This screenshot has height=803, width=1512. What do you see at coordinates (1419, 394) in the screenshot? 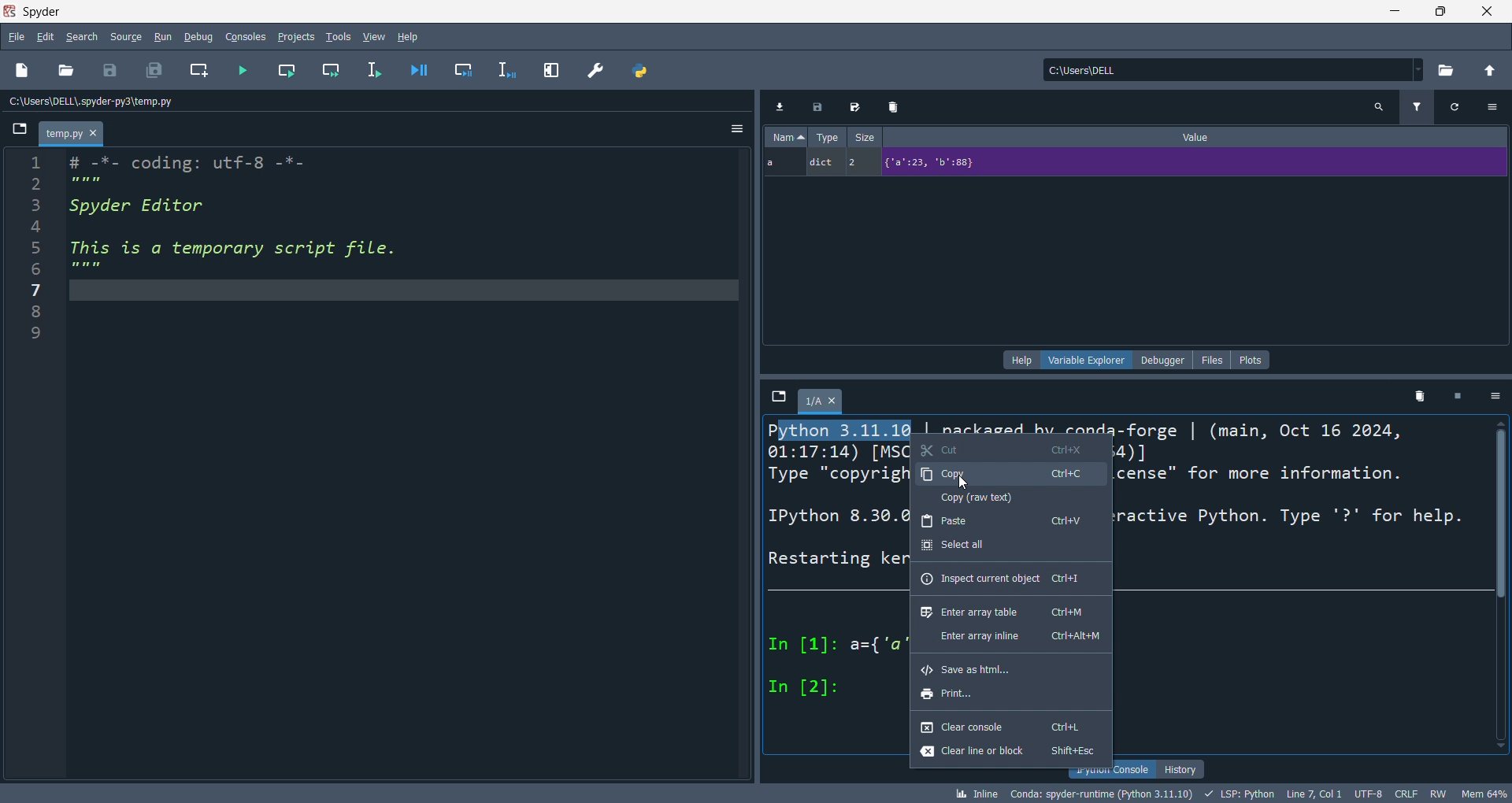
I see `delete` at bounding box center [1419, 394].